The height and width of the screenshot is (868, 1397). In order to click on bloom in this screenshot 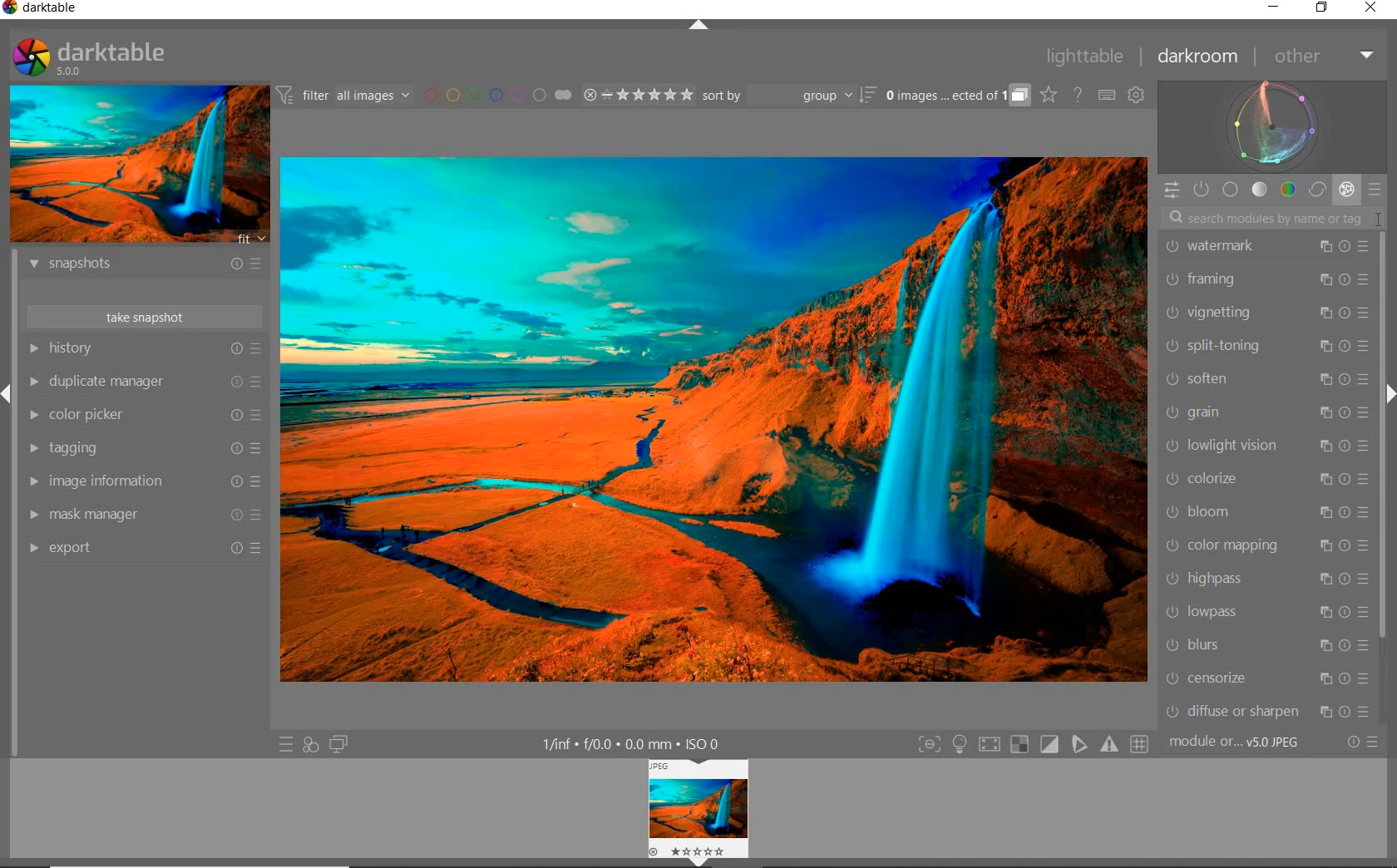, I will do `click(1266, 513)`.